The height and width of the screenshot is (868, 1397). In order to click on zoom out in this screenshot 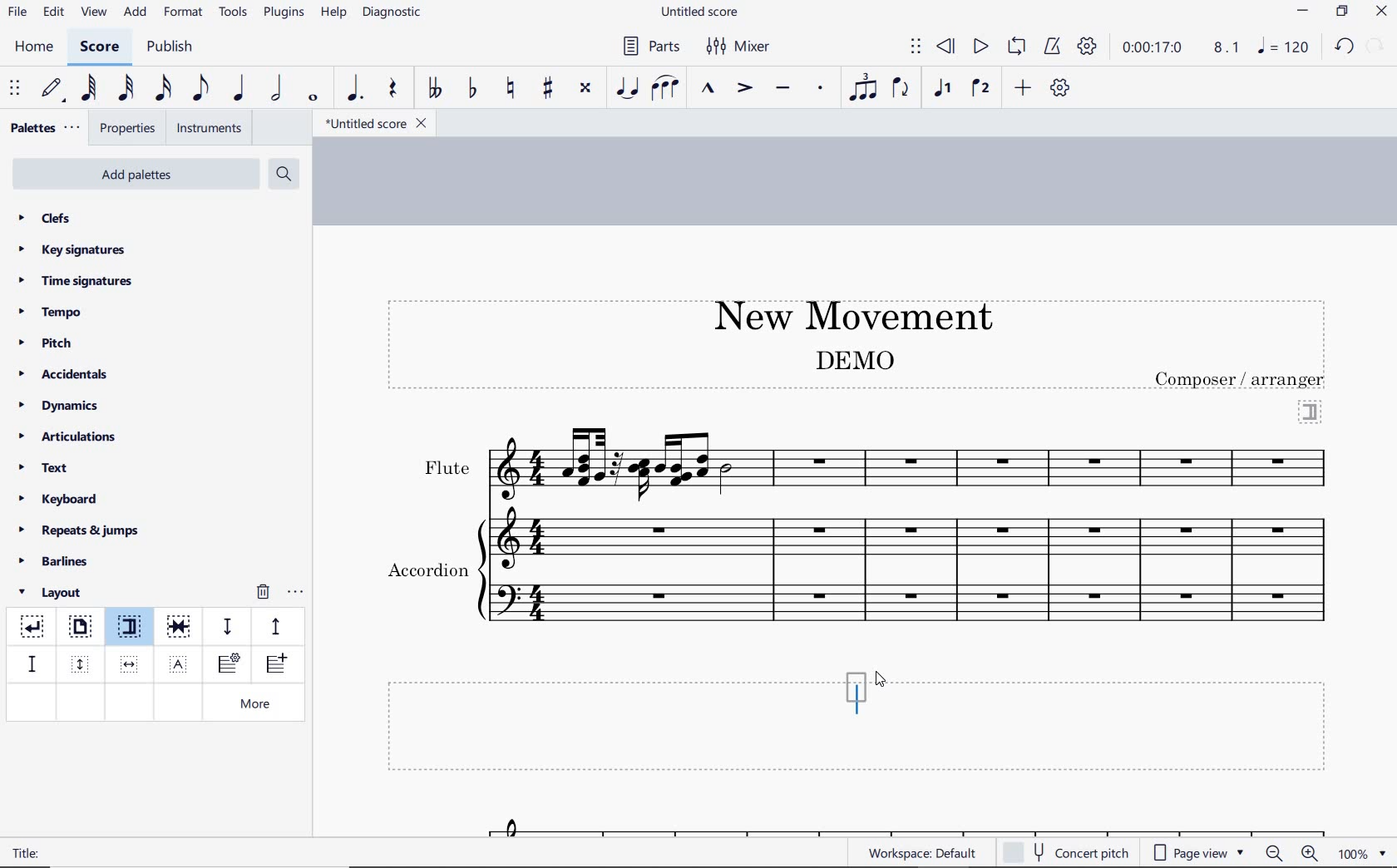, I will do `click(1276, 853)`.